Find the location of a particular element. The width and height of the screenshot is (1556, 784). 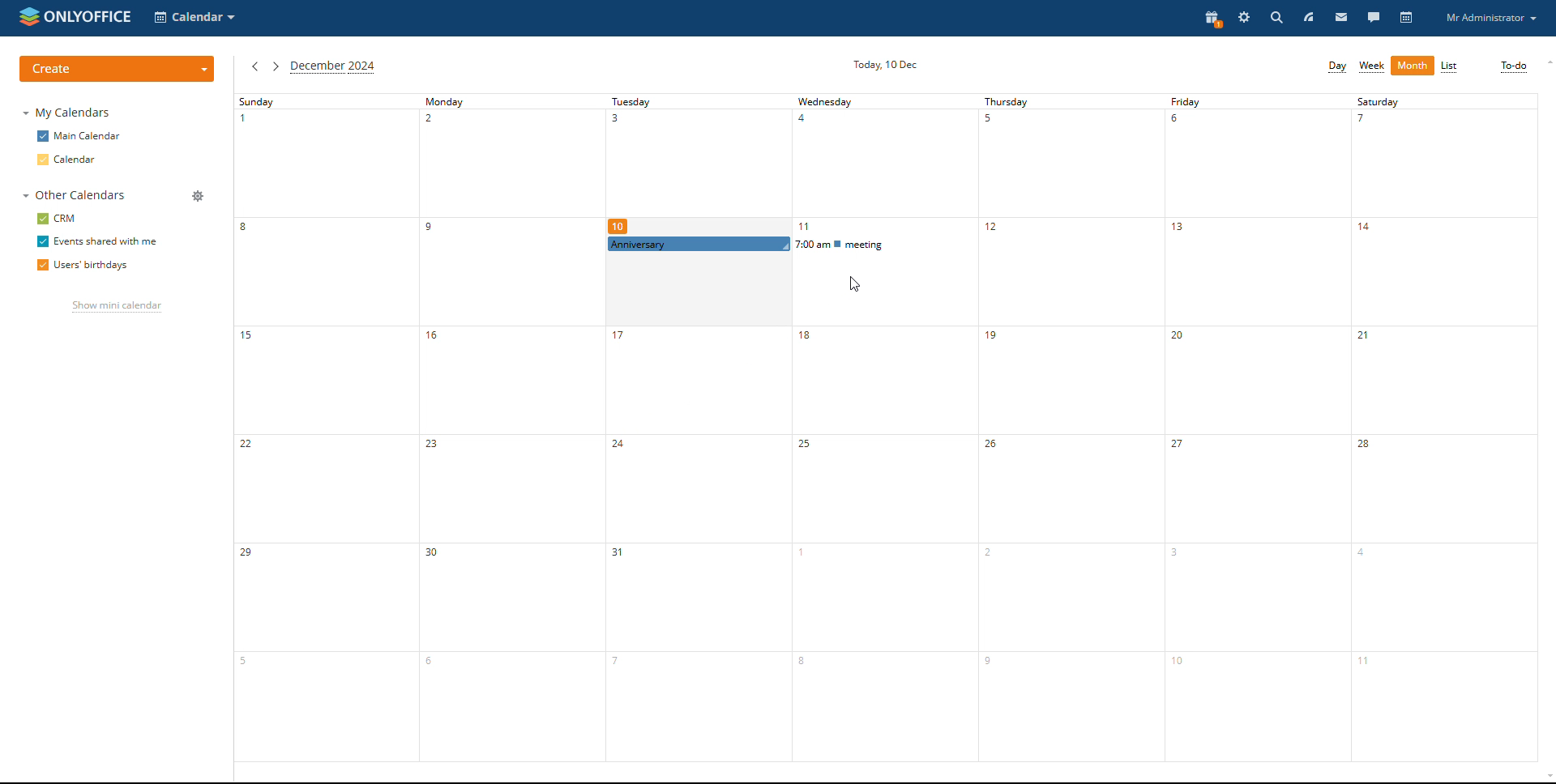

settings is located at coordinates (1243, 18).